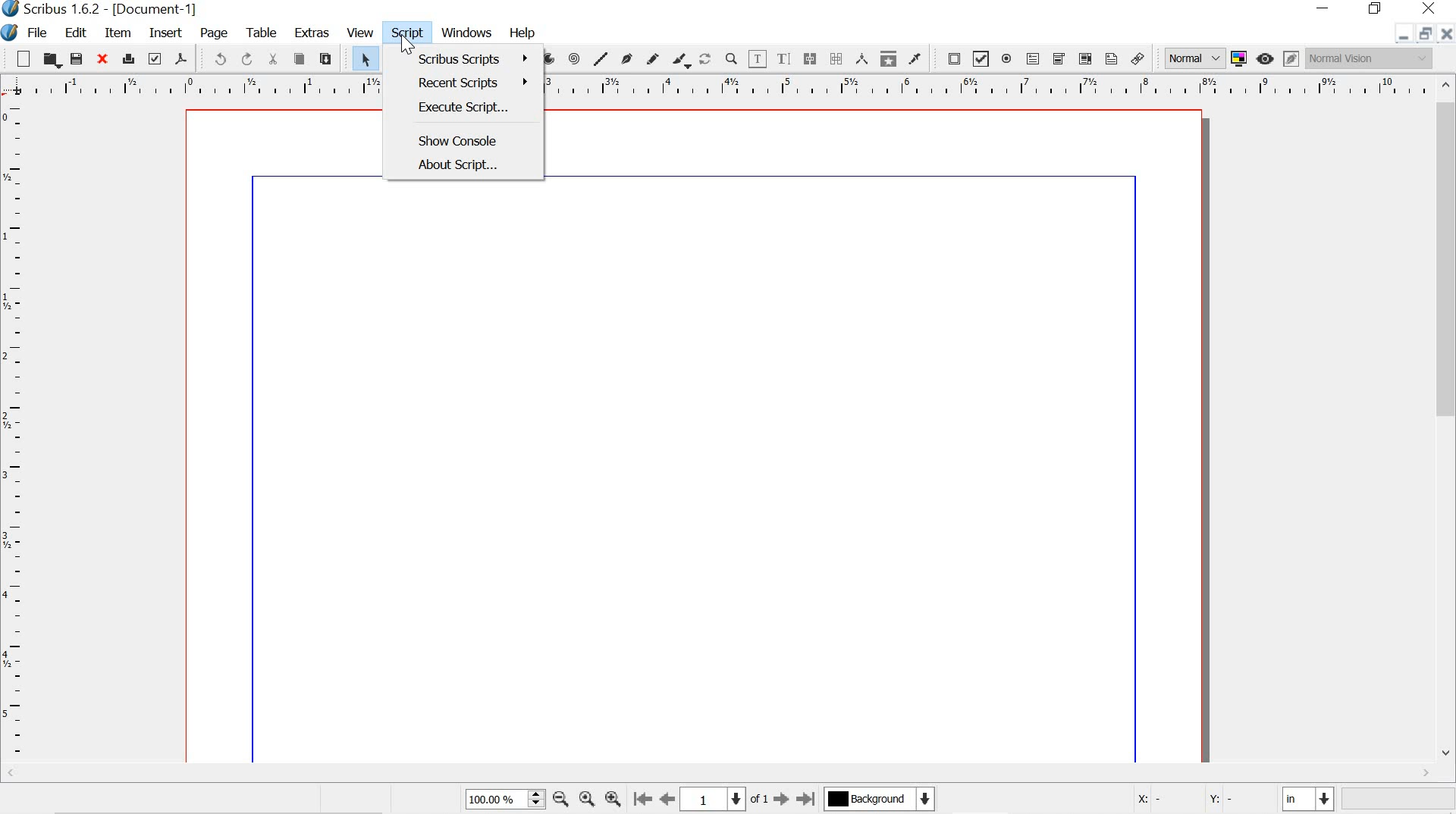  Describe the element at coordinates (561, 801) in the screenshot. I see `zoom out` at that location.